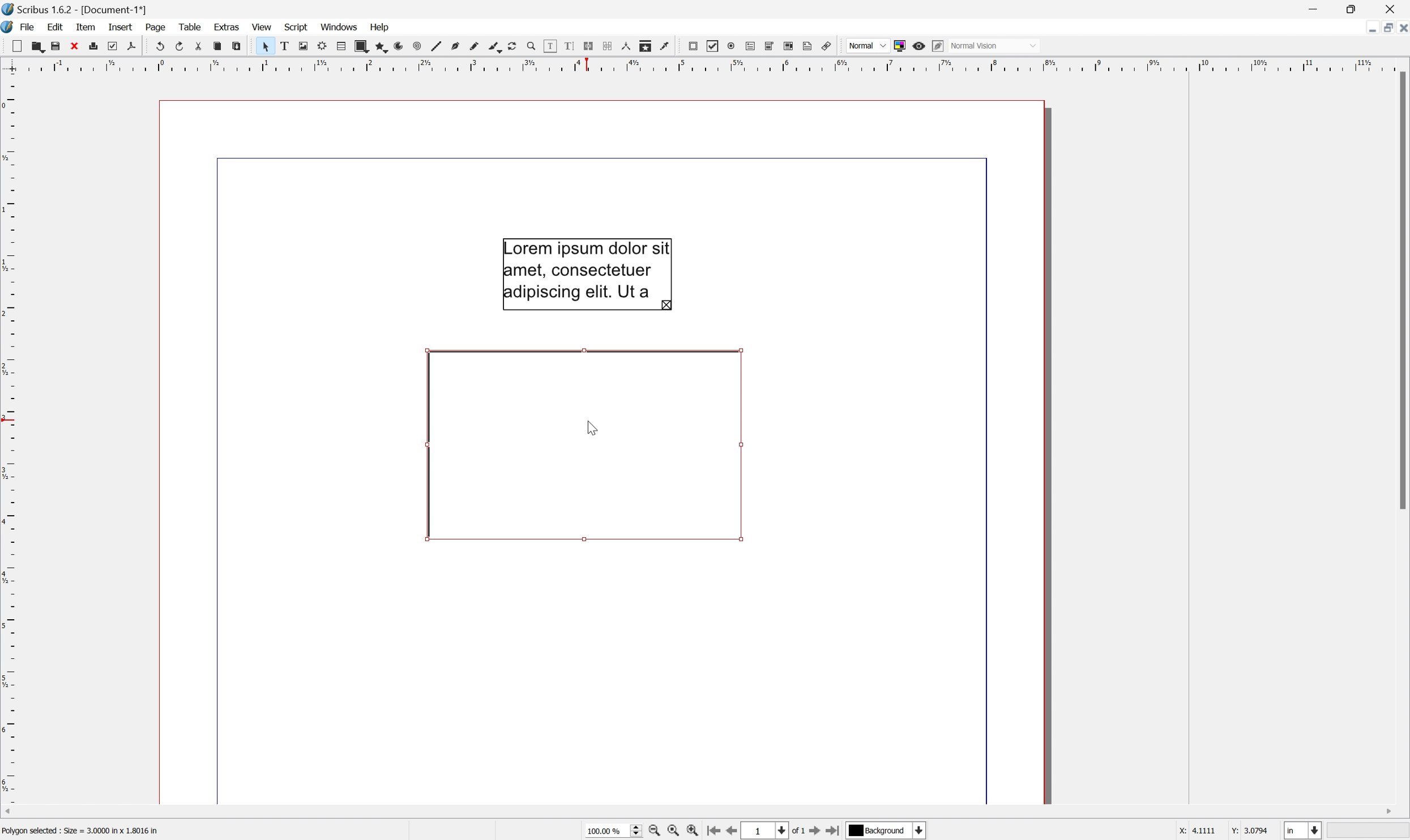 Image resolution: width=1410 pixels, height=840 pixels. Describe the element at coordinates (156, 28) in the screenshot. I see `Page` at that location.